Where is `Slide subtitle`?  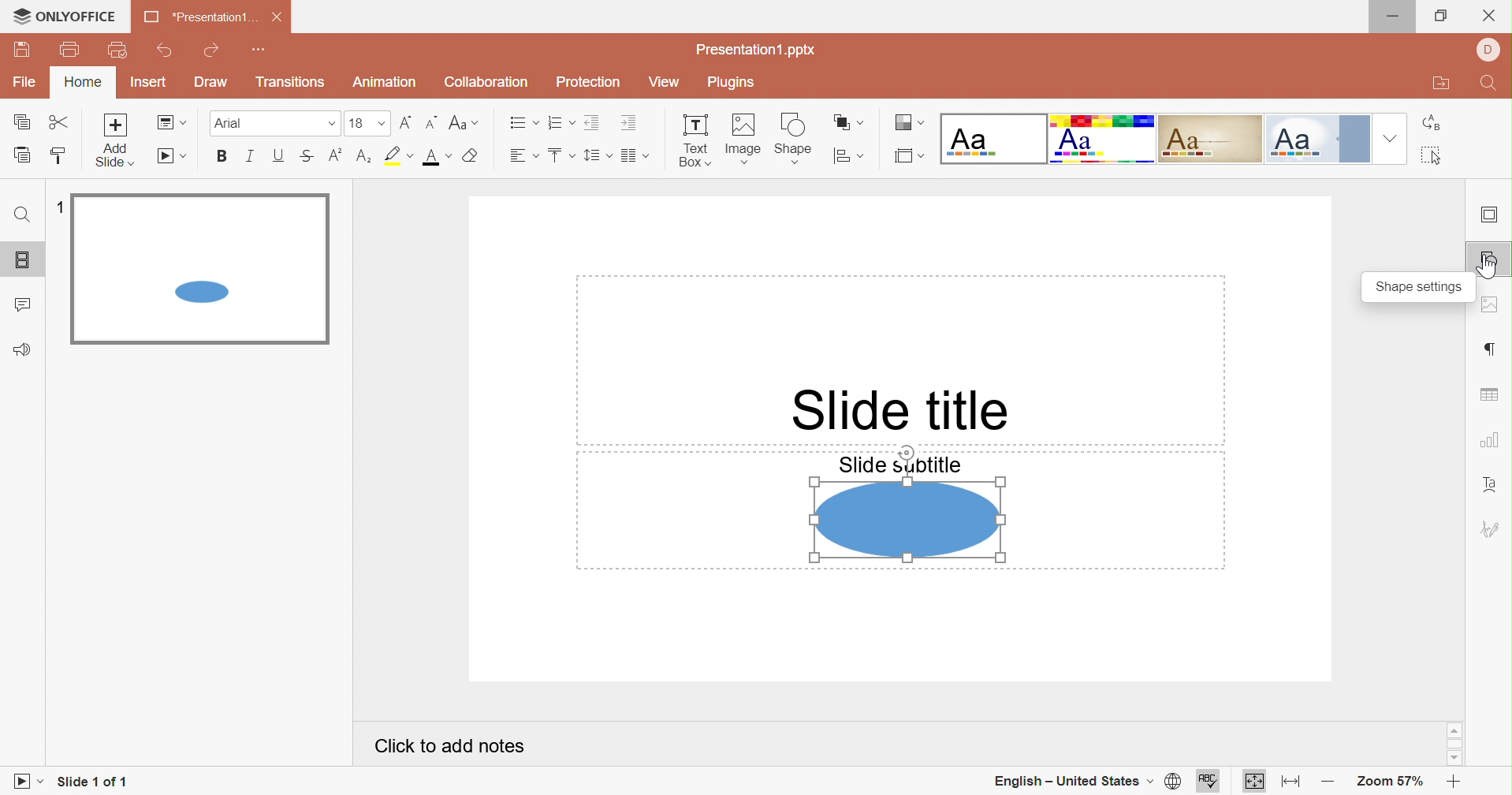
Slide subtitle is located at coordinates (901, 463).